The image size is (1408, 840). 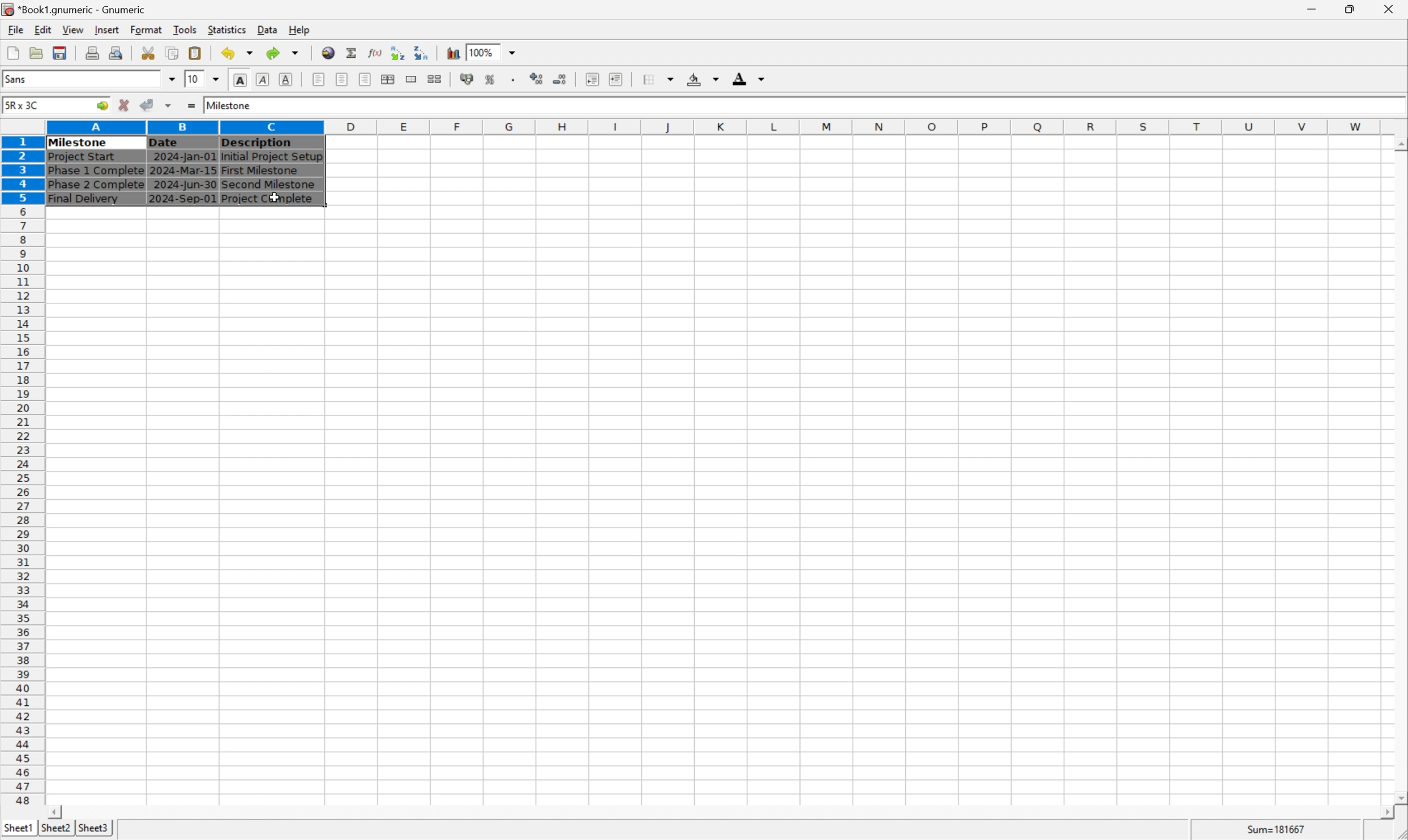 What do you see at coordinates (319, 80) in the screenshot?
I see `align left` at bounding box center [319, 80].